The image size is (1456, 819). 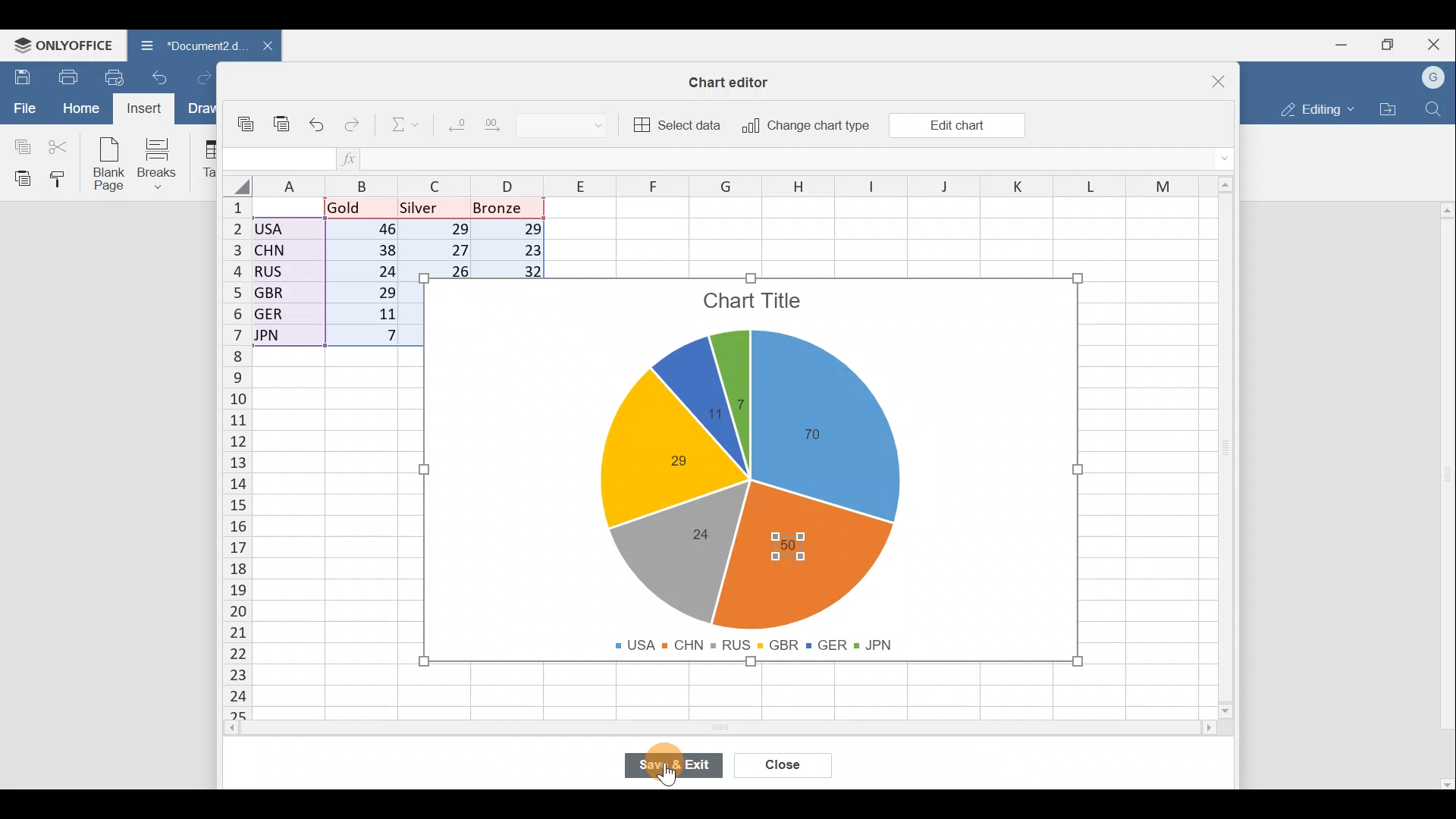 What do you see at coordinates (265, 47) in the screenshot?
I see `Close document` at bounding box center [265, 47].